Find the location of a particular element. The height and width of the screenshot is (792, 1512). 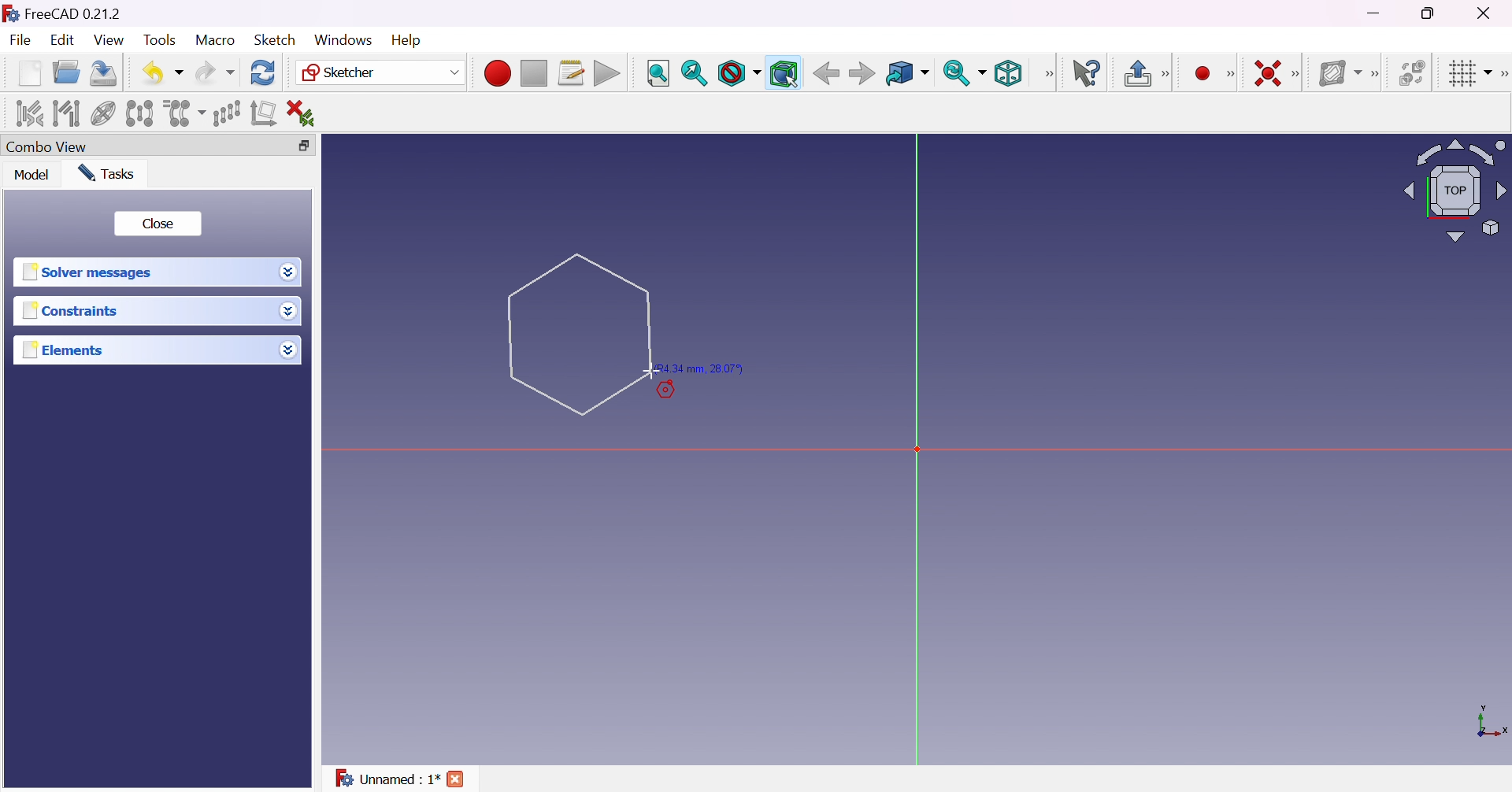

[View] is located at coordinates (1048, 74).